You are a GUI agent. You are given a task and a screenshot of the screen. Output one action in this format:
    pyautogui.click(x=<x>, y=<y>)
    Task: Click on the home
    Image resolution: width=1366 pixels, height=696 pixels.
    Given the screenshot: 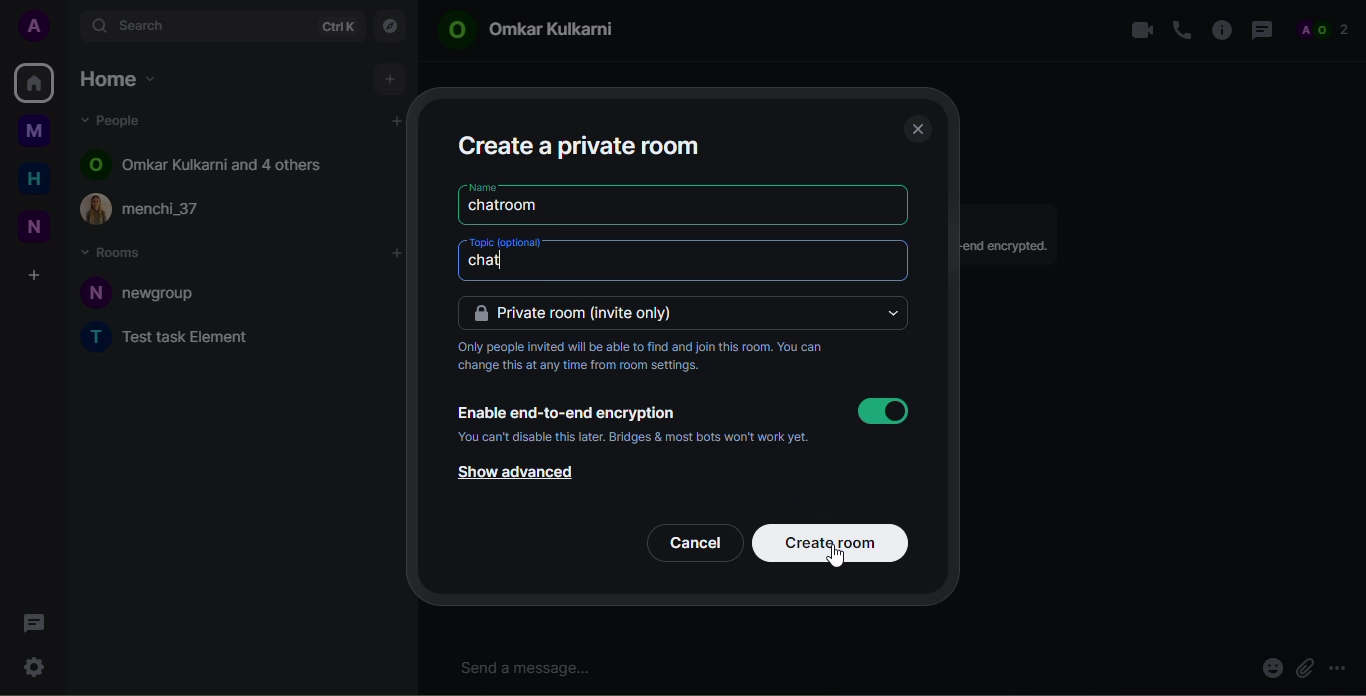 What is the action you would take?
    pyautogui.click(x=122, y=82)
    